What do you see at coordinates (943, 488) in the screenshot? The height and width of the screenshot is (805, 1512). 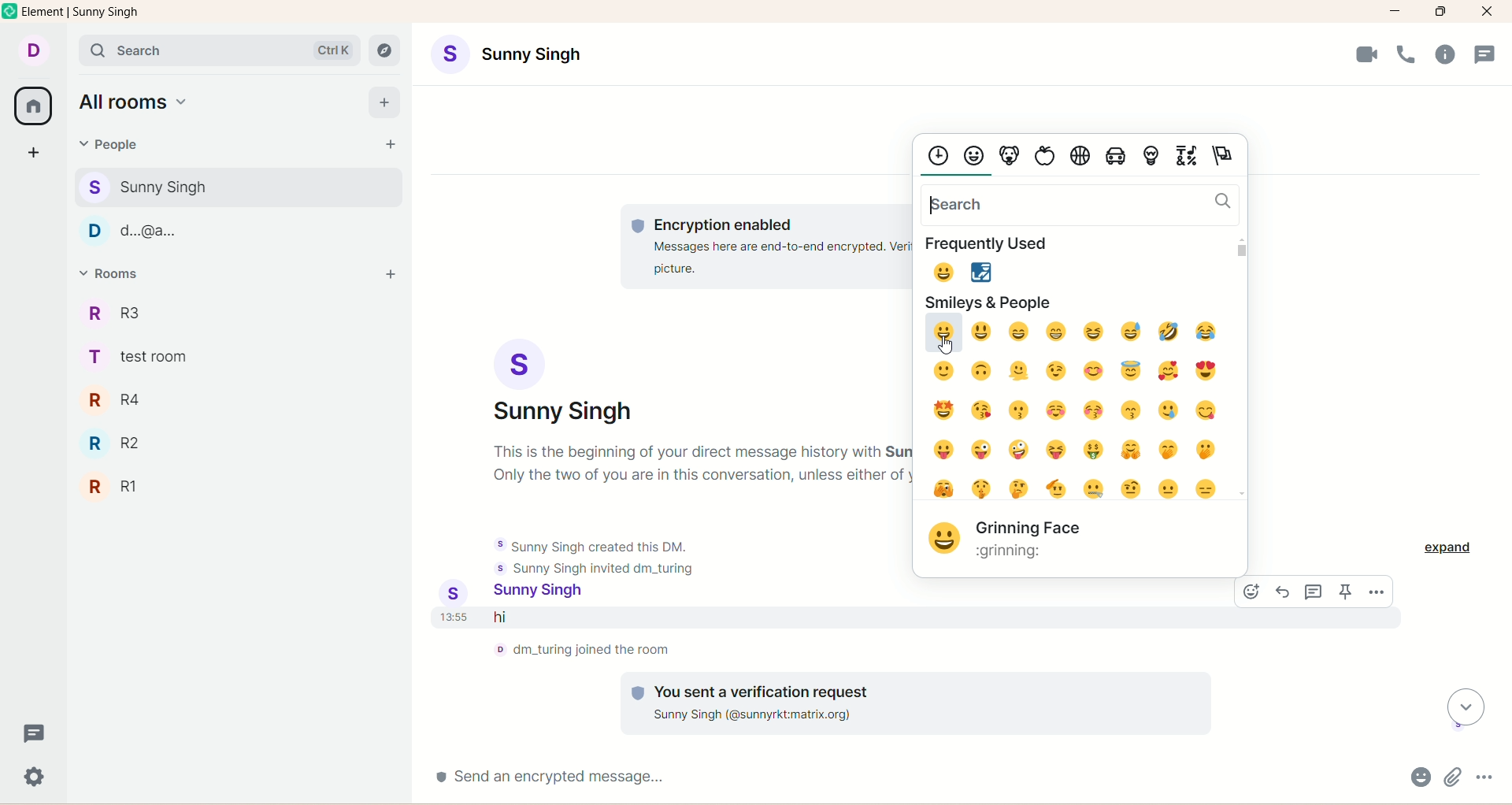 I see `Face with peeking eye` at bounding box center [943, 488].